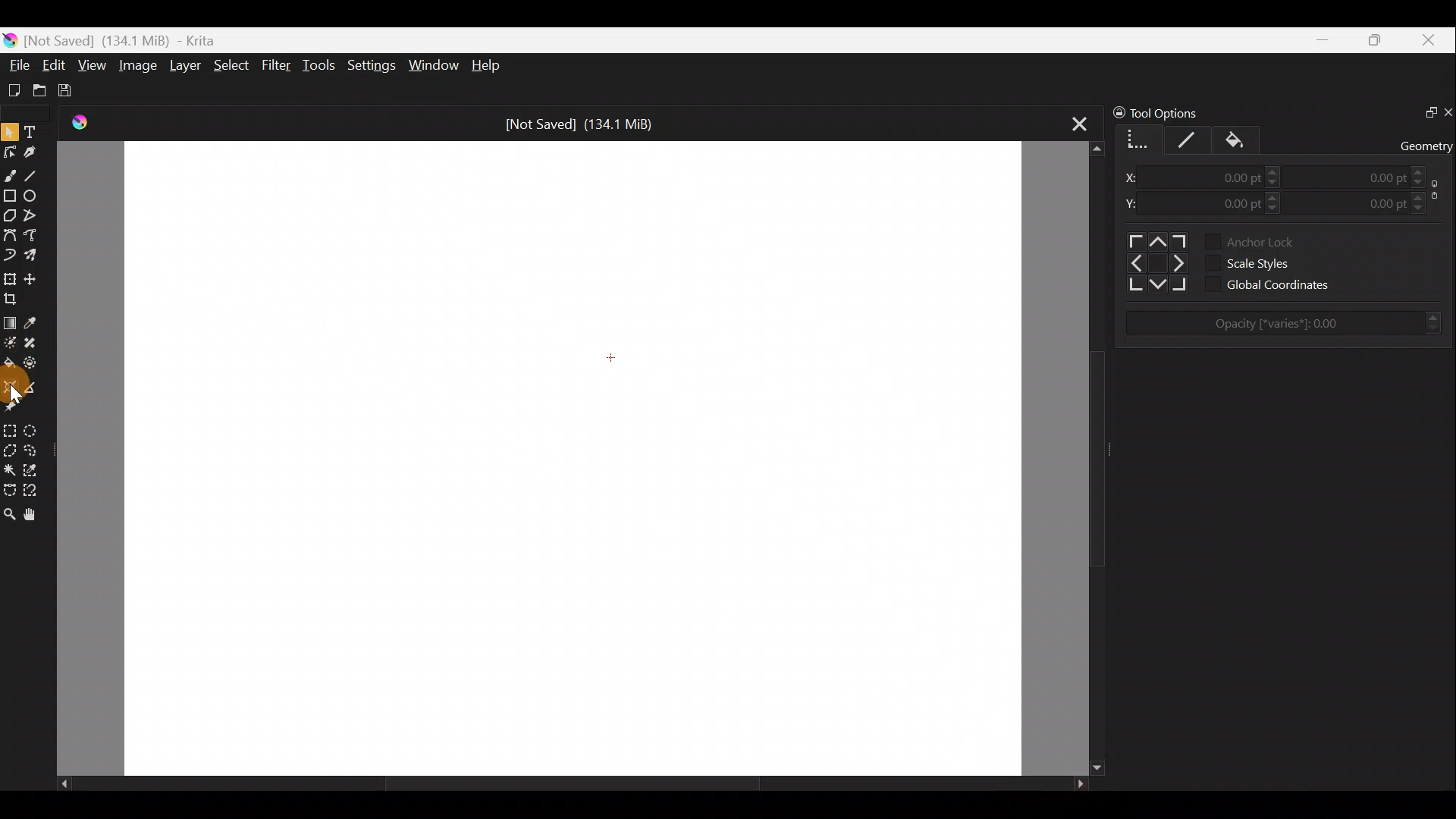  What do you see at coordinates (277, 67) in the screenshot?
I see `Filter` at bounding box center [277, 67].